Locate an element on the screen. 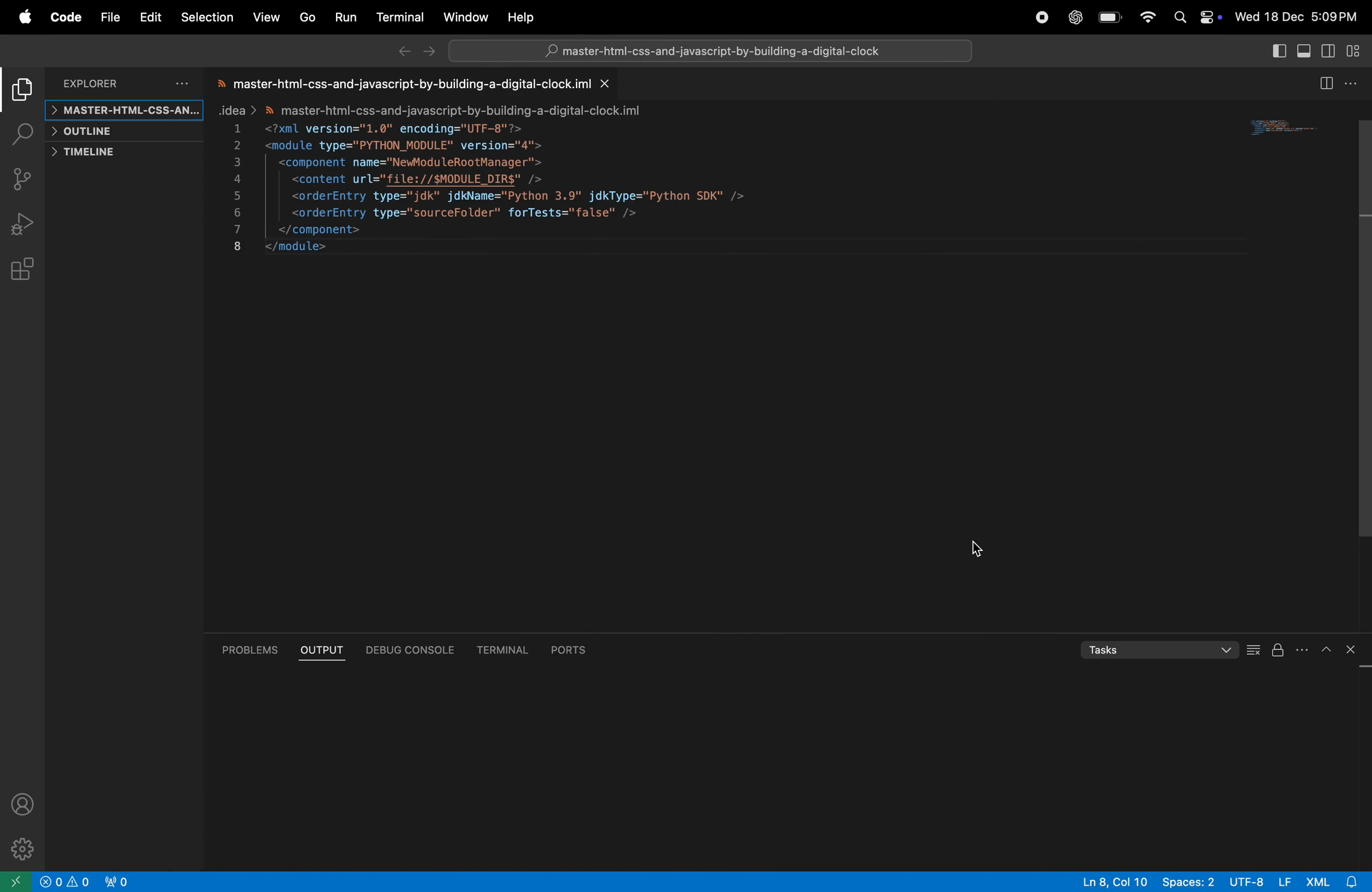 Image resolution: width=1372 pixels, height=892 pixels. go is located at coordinates (304, 17).